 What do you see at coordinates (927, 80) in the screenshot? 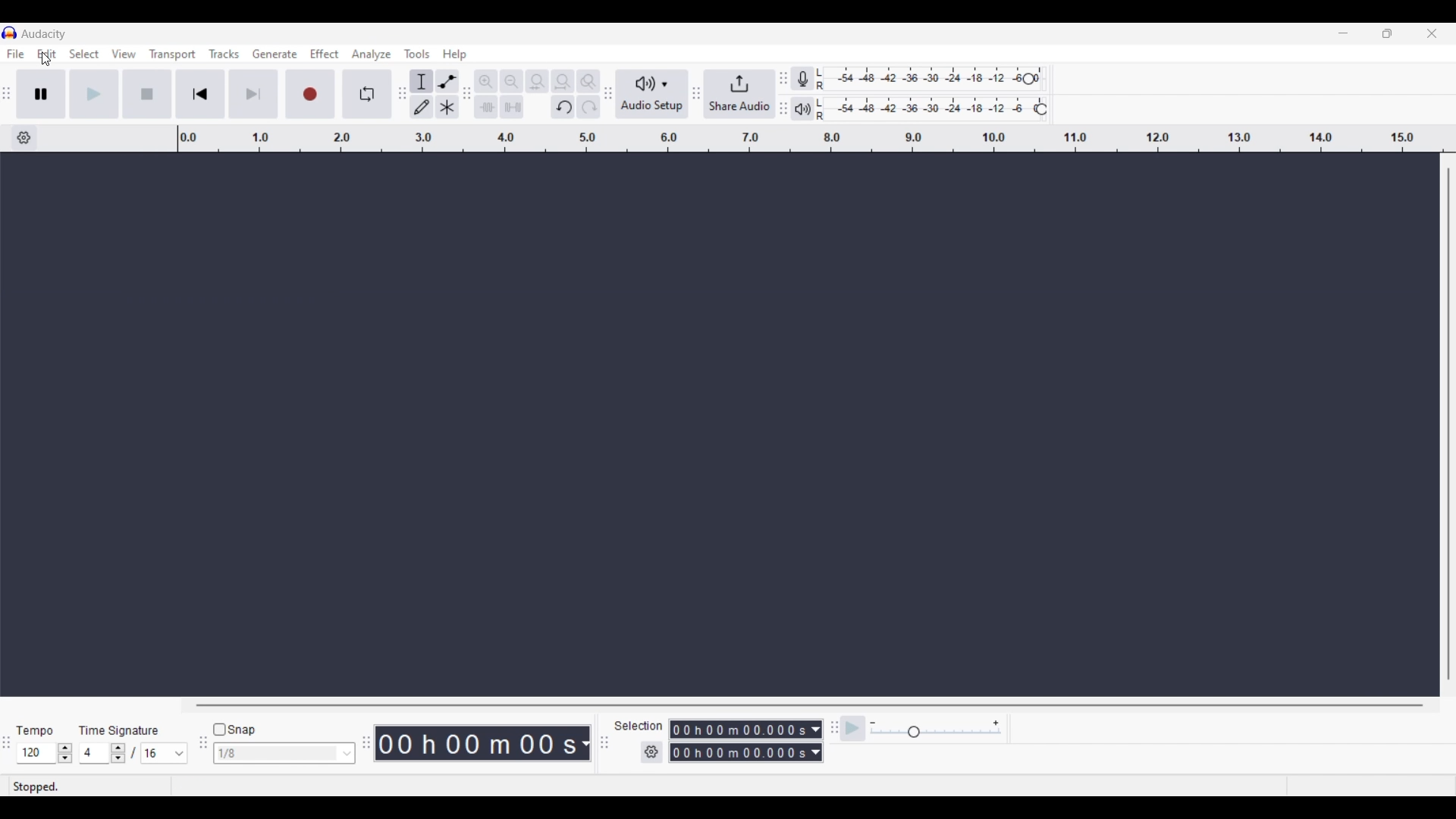
I see `Recording level` at bounding box center [927, 80].